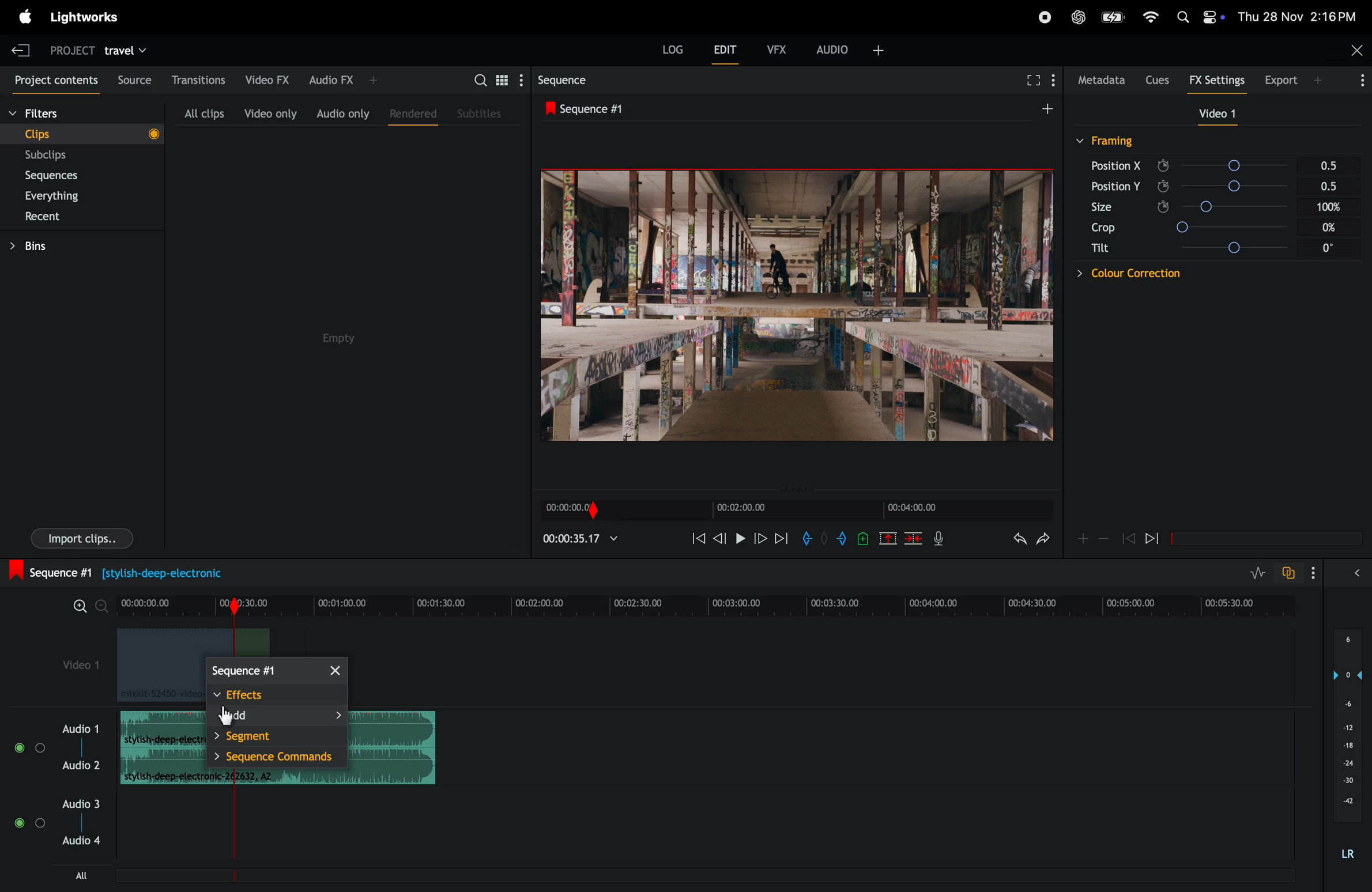  Describe the element at coordinates (65, 825) in the screenshot. I see `audio 3 and 4` at that location.